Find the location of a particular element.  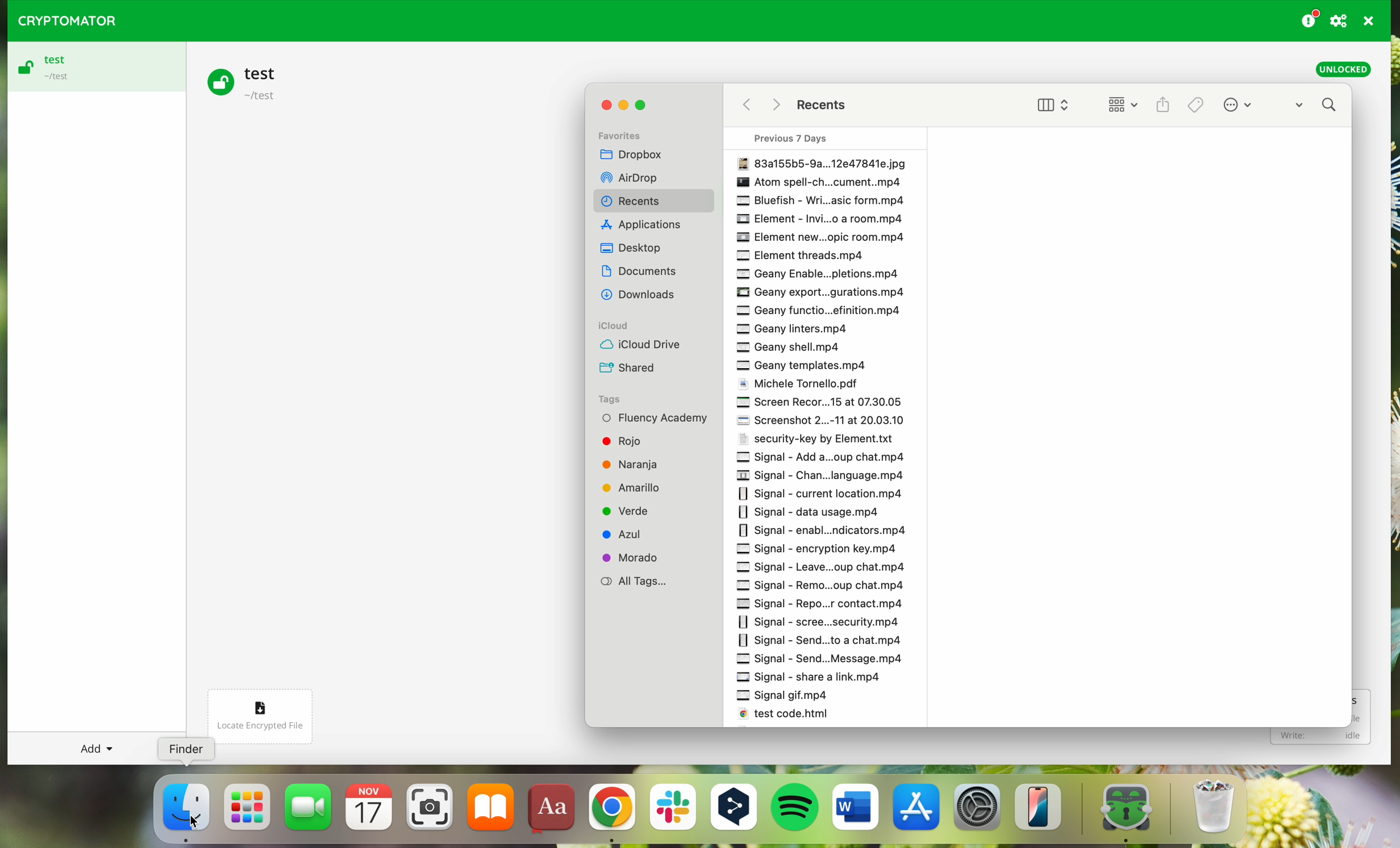

Element is located at coordinates (824, 218).